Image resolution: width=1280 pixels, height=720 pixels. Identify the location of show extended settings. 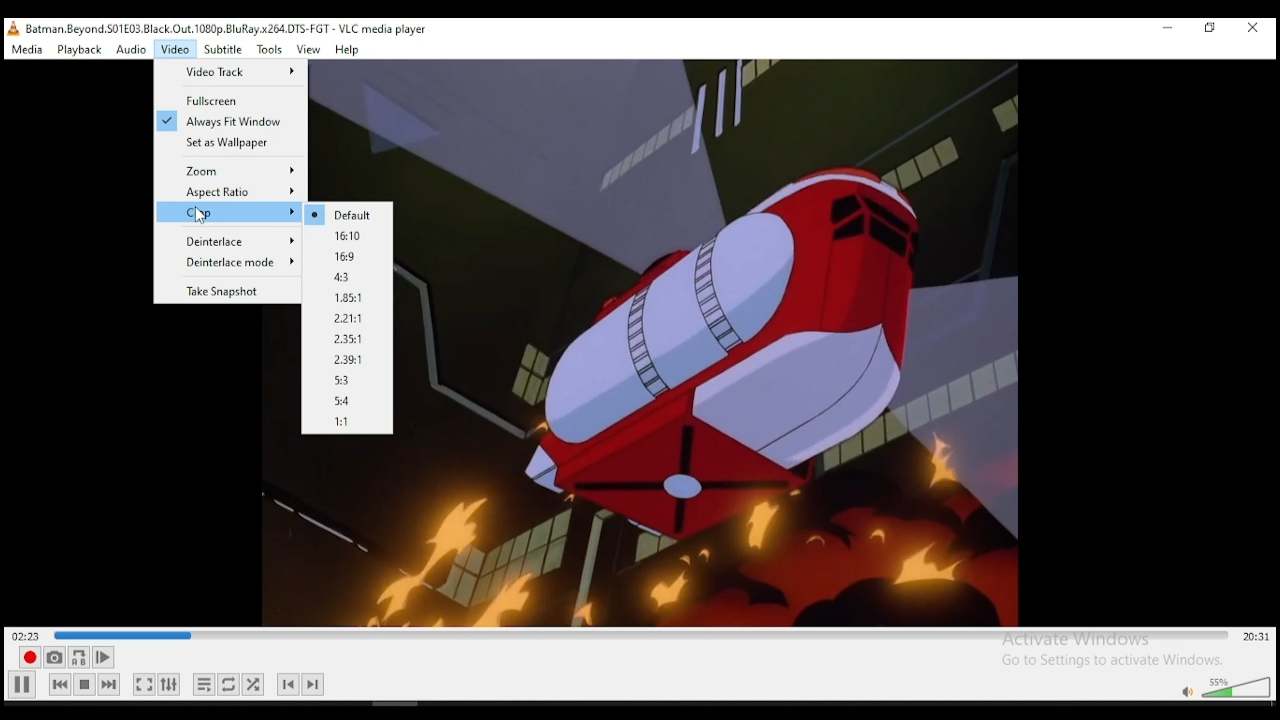
(253, 683).